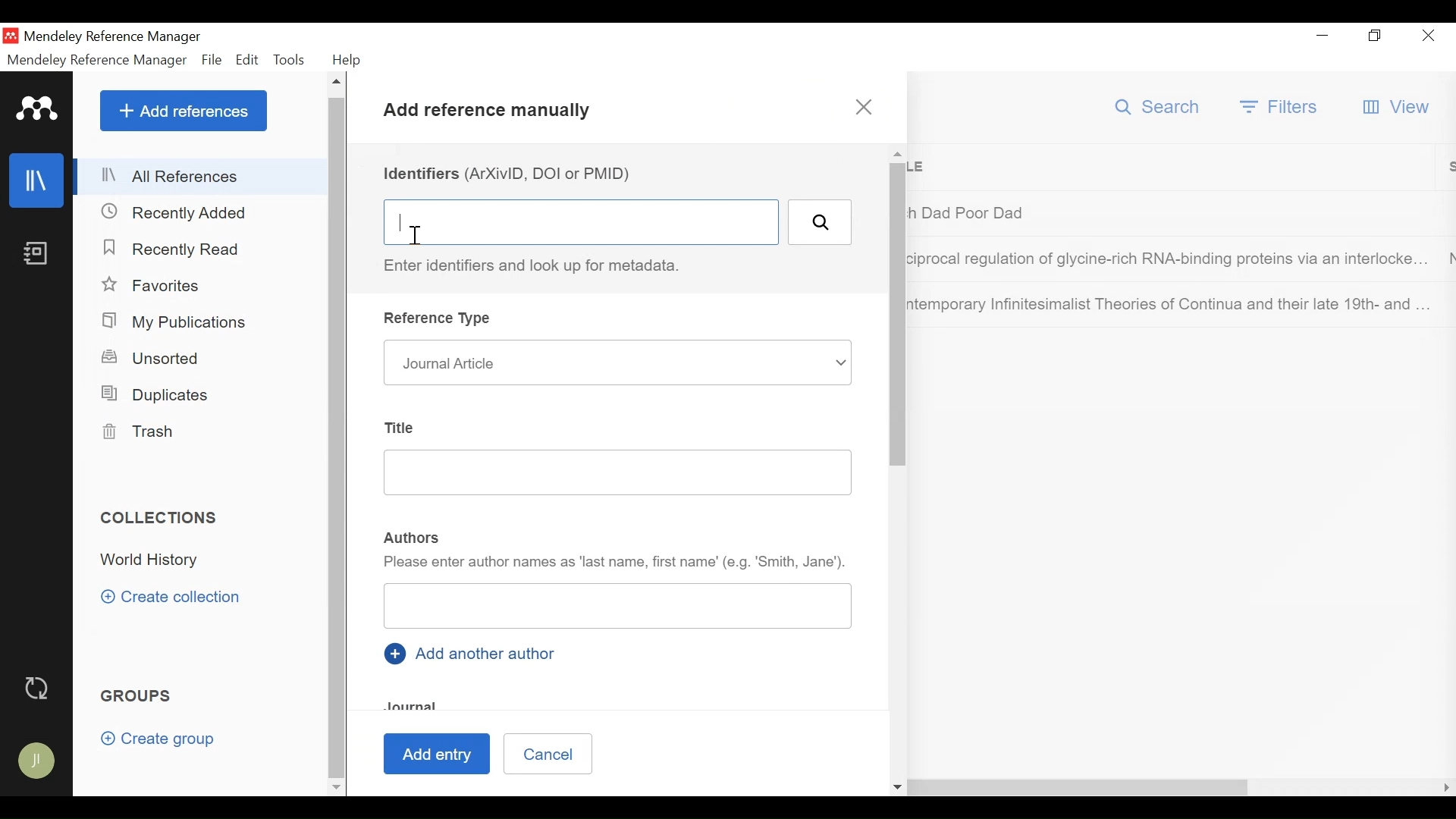  What do you see at coordinates (98, 60) in the screenshot?
I see `Mendeley Reference Manager` at bounding box center [98, 60].